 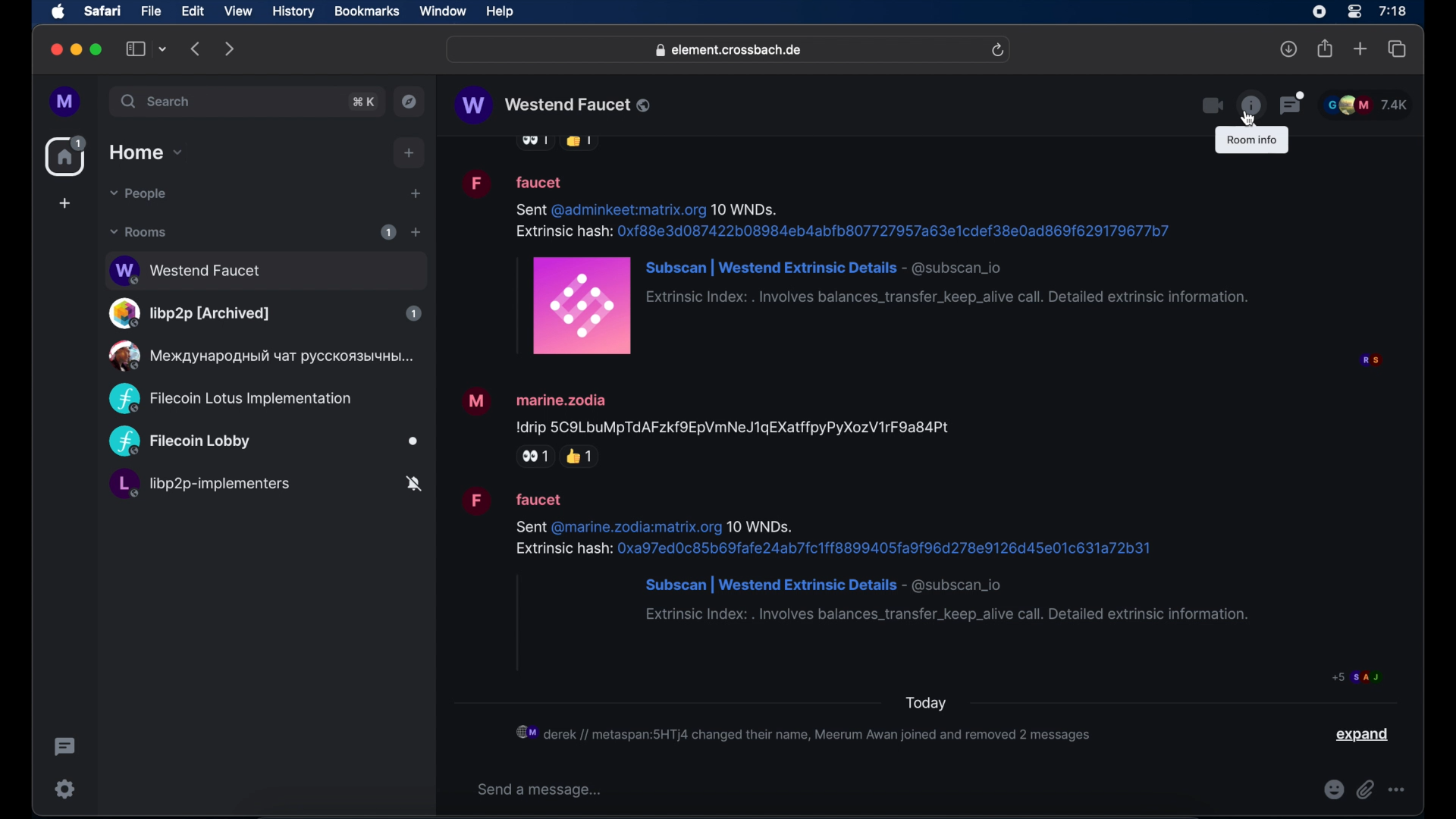 What do you see at coordinates (230, 49) in the screenshot?
I see `forward` at bounding box center [230, 49].